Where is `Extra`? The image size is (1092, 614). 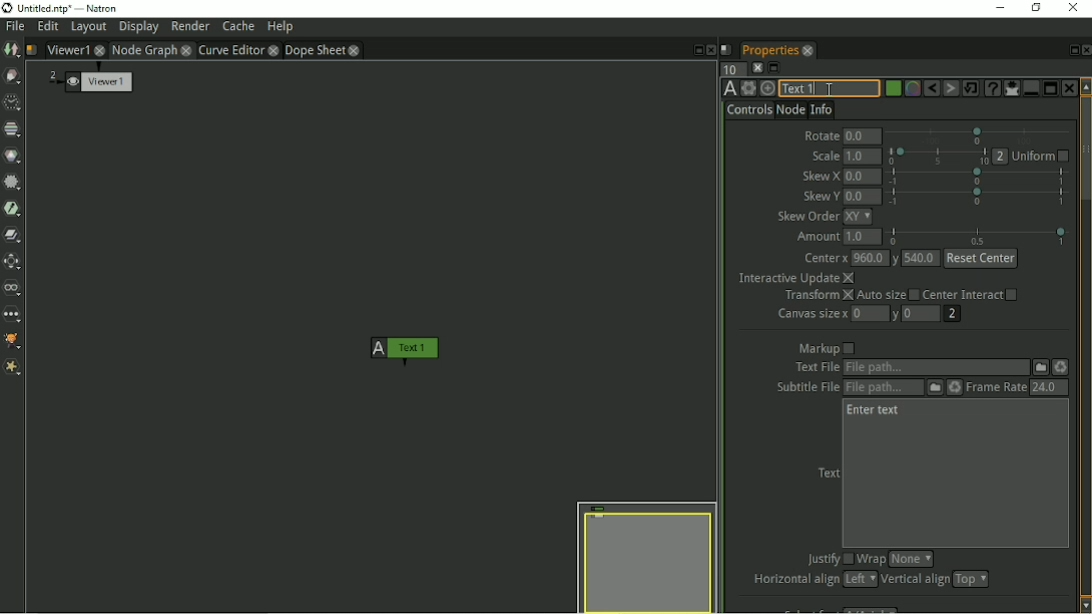 Extra is located at coordinates (16, 369).